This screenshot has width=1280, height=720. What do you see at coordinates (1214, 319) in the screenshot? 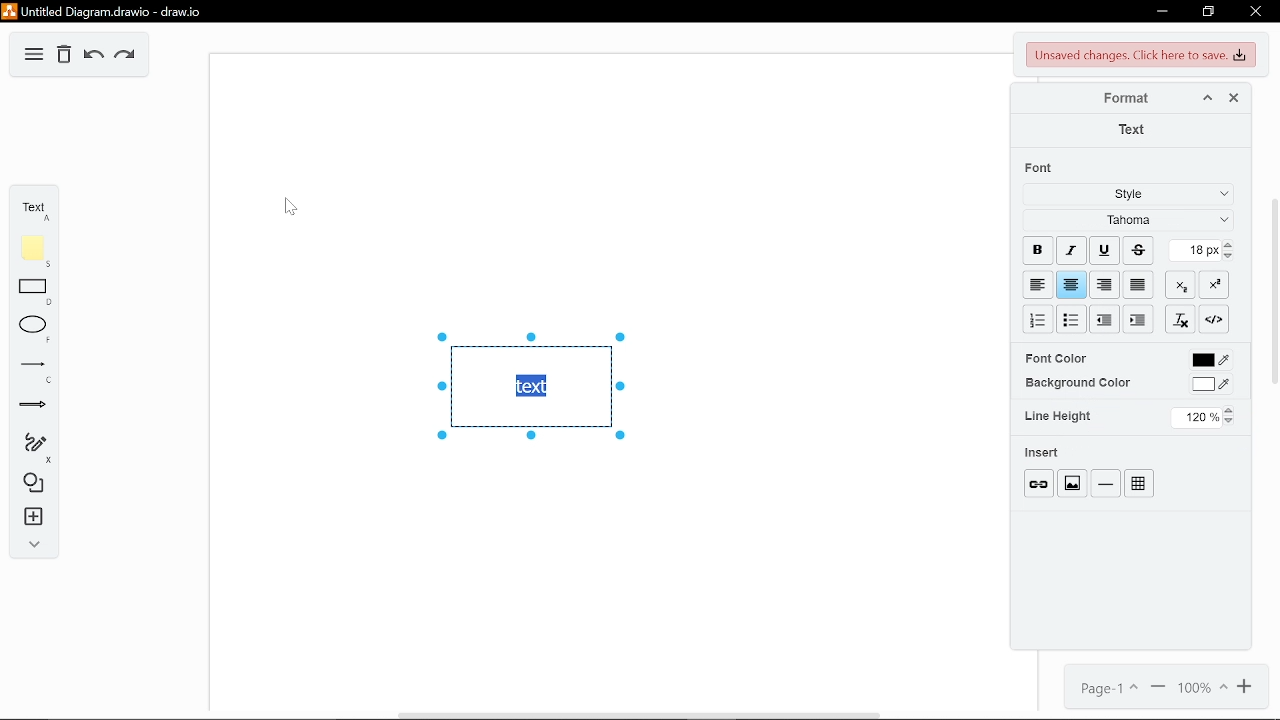
I see `html` at bounding box center [1214, 319].